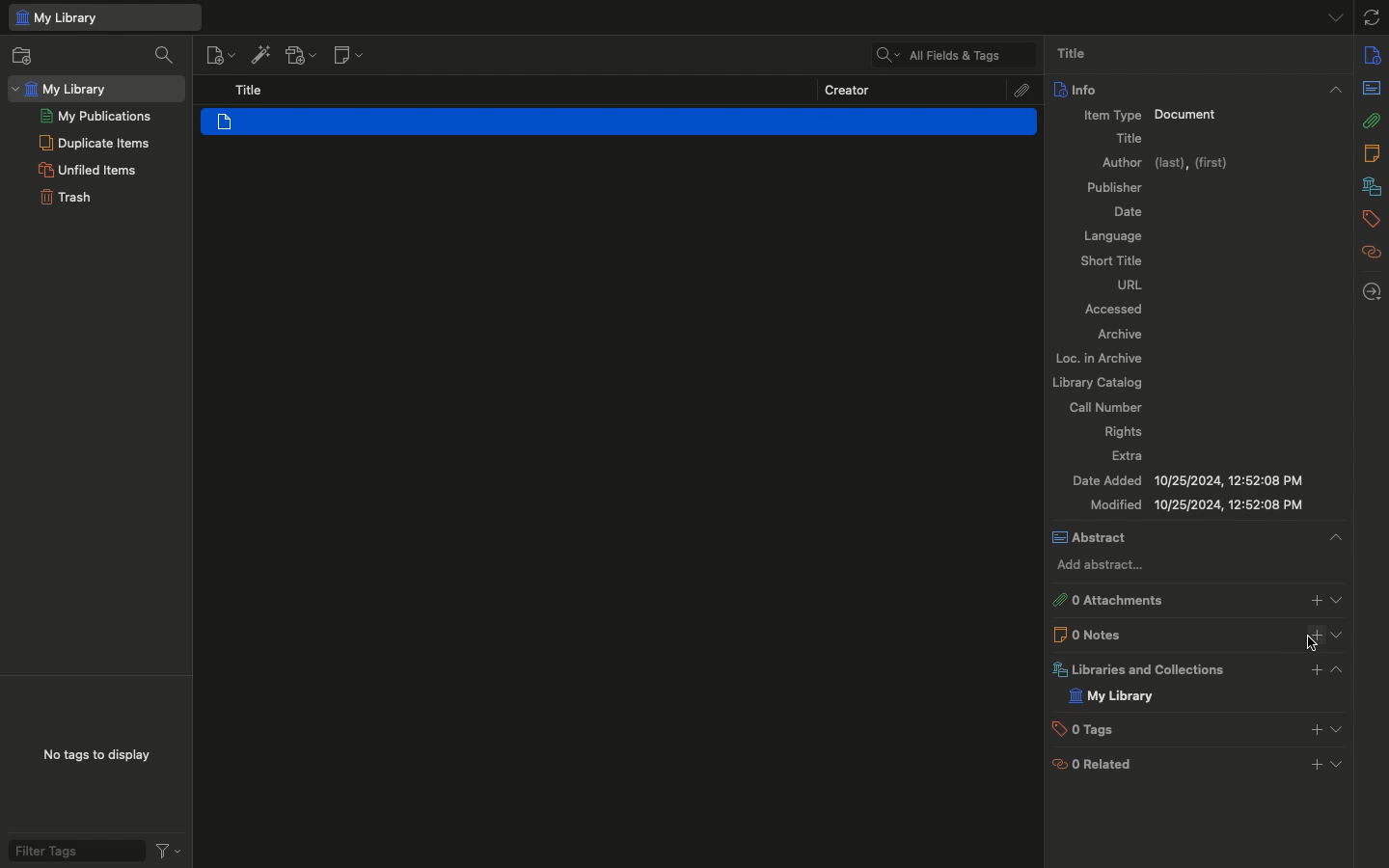 The height and width of the screenshot is (868, 1389). I want to click on Language, so click(1115, 235).